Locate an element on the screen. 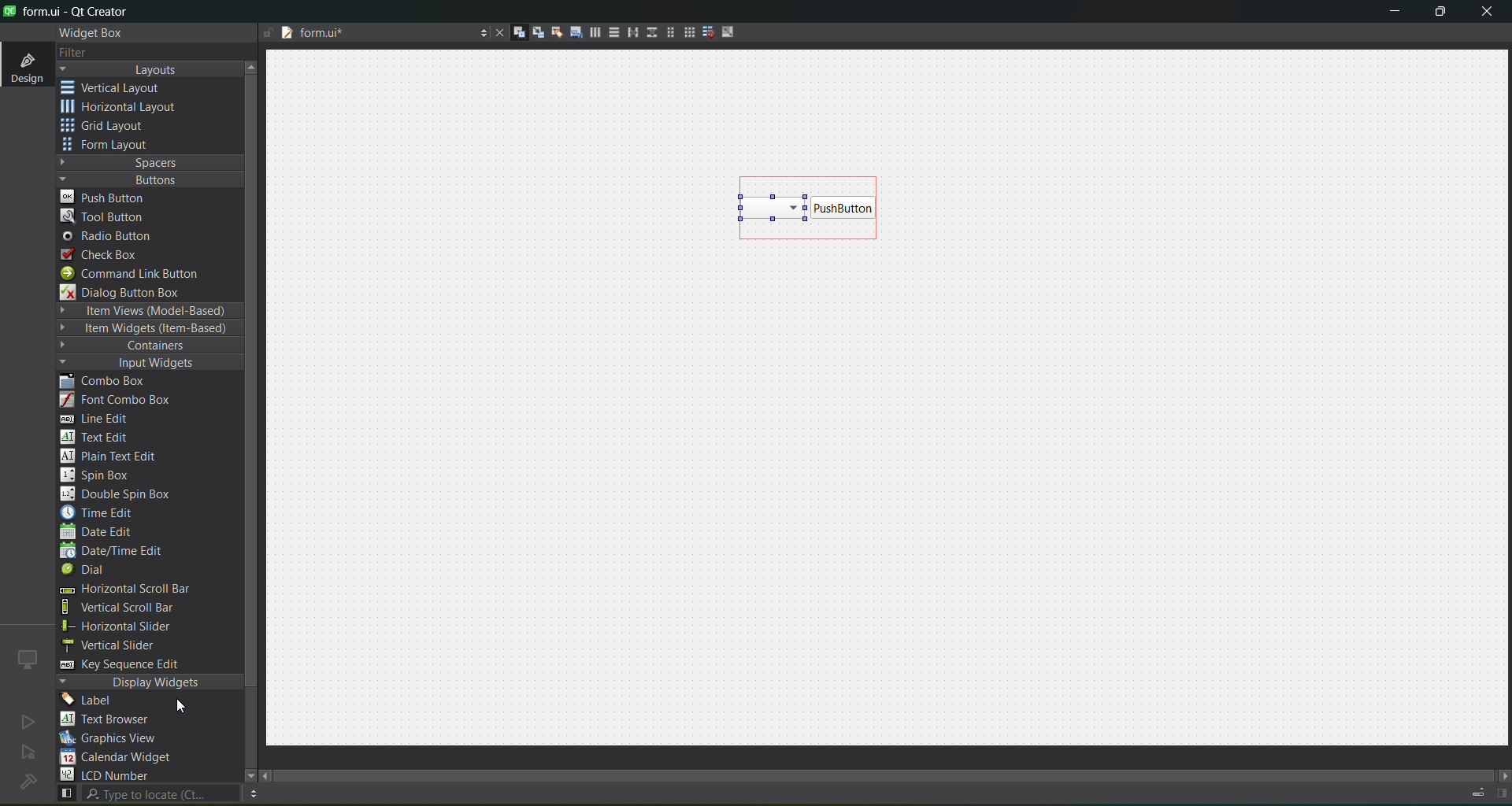  graphics is located at coordinates (115, 738).